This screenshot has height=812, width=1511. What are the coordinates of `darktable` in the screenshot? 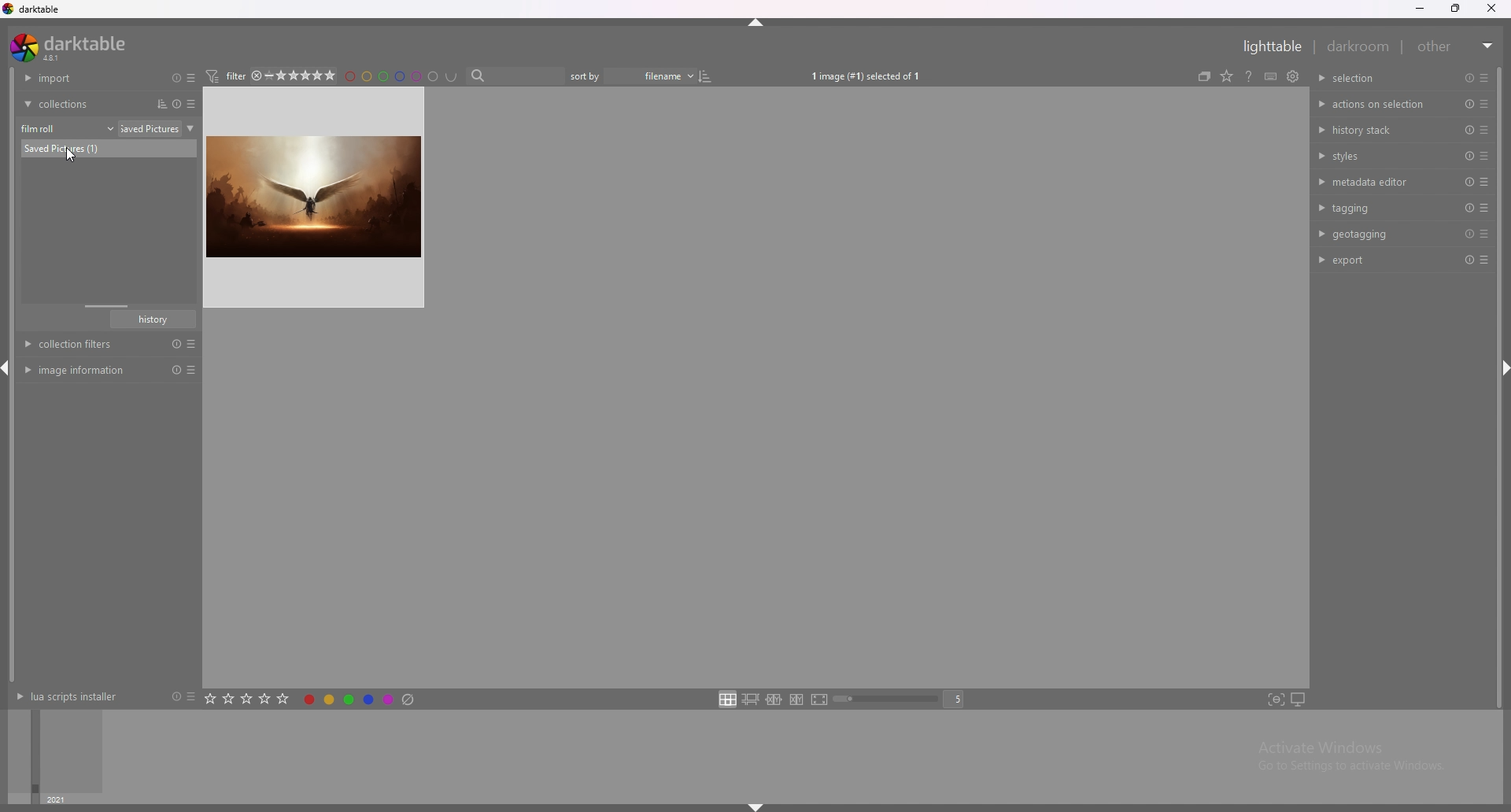 It's located at (72, 47).